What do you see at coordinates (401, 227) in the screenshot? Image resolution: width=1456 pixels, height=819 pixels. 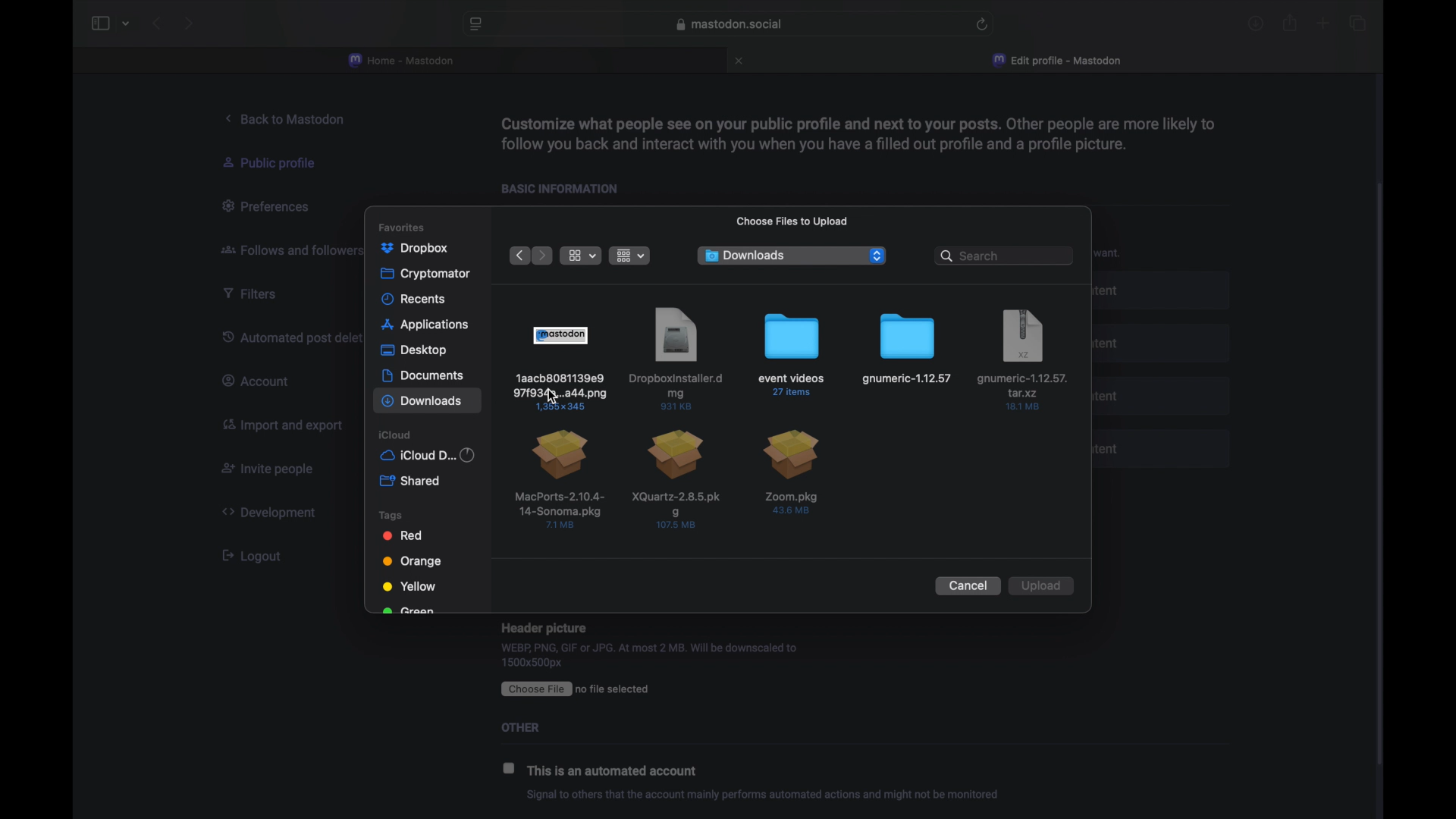 I see `favorites` at bounding box center [401, 227].